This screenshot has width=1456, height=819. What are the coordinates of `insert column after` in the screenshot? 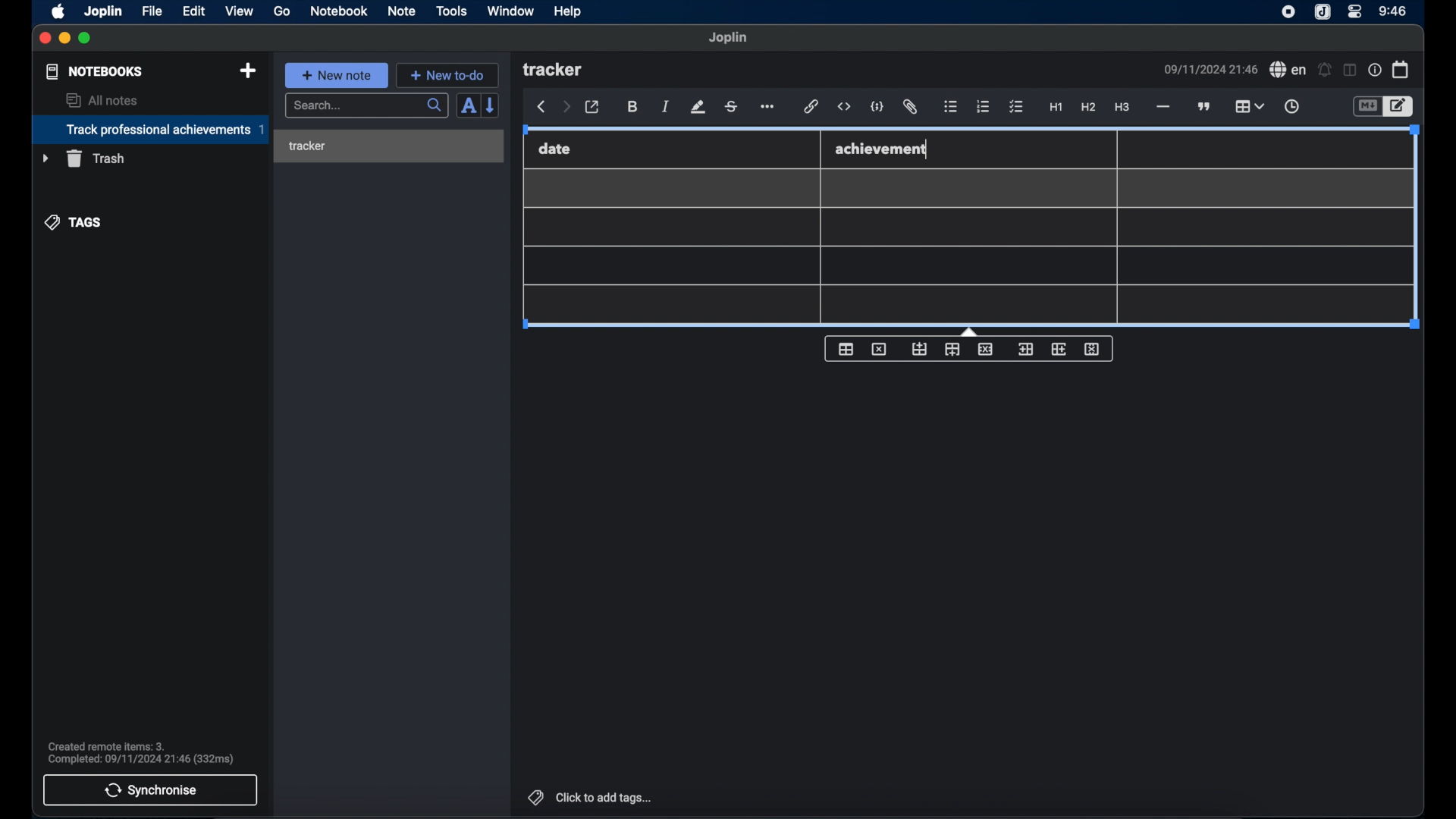 It's located at (1059, 349).